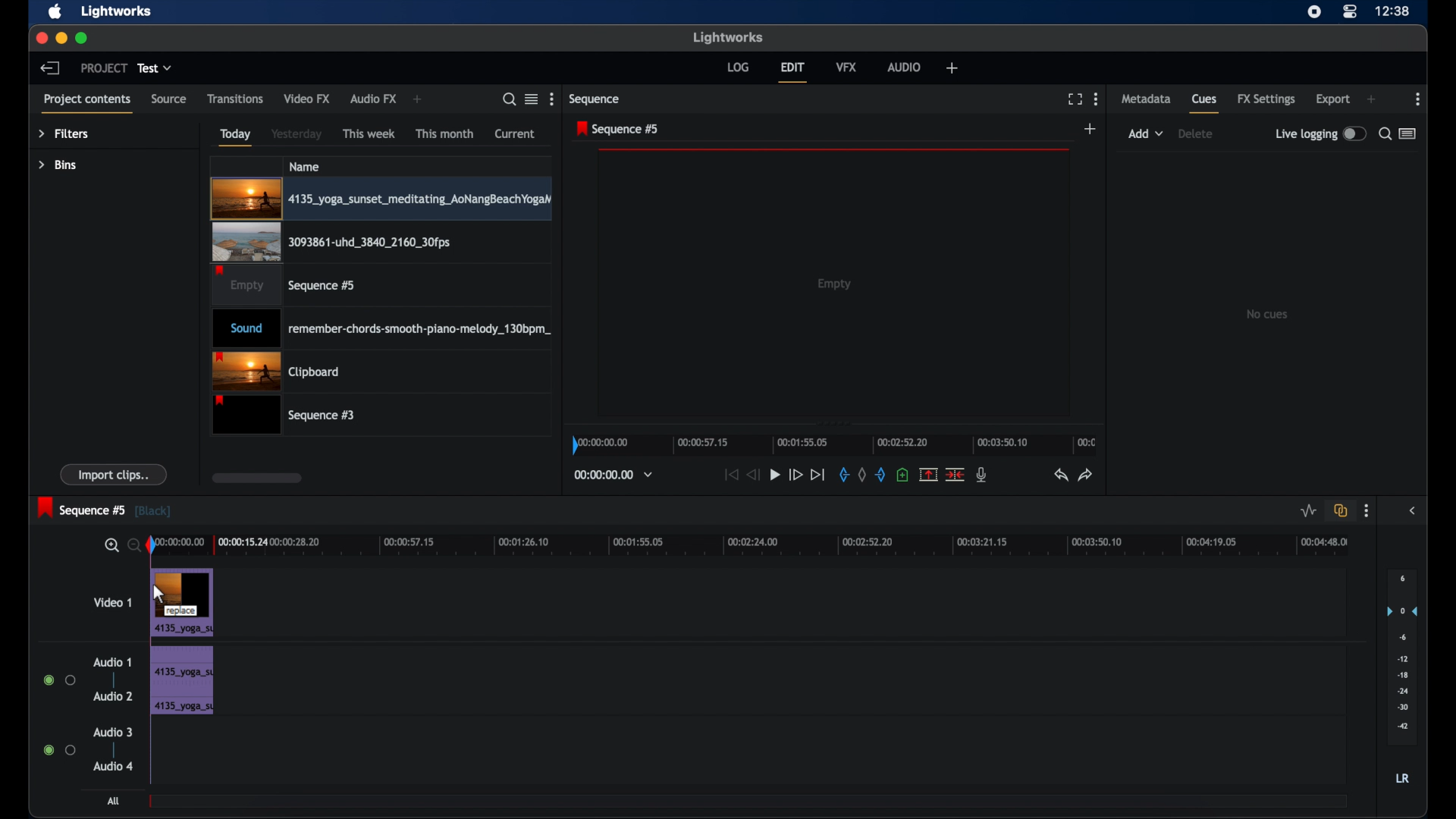 This screenshot has height=819, width=1456. What do you see at coordinates (102, 67) in the screenshot?
I see `project` at bounding box center [102, 67].